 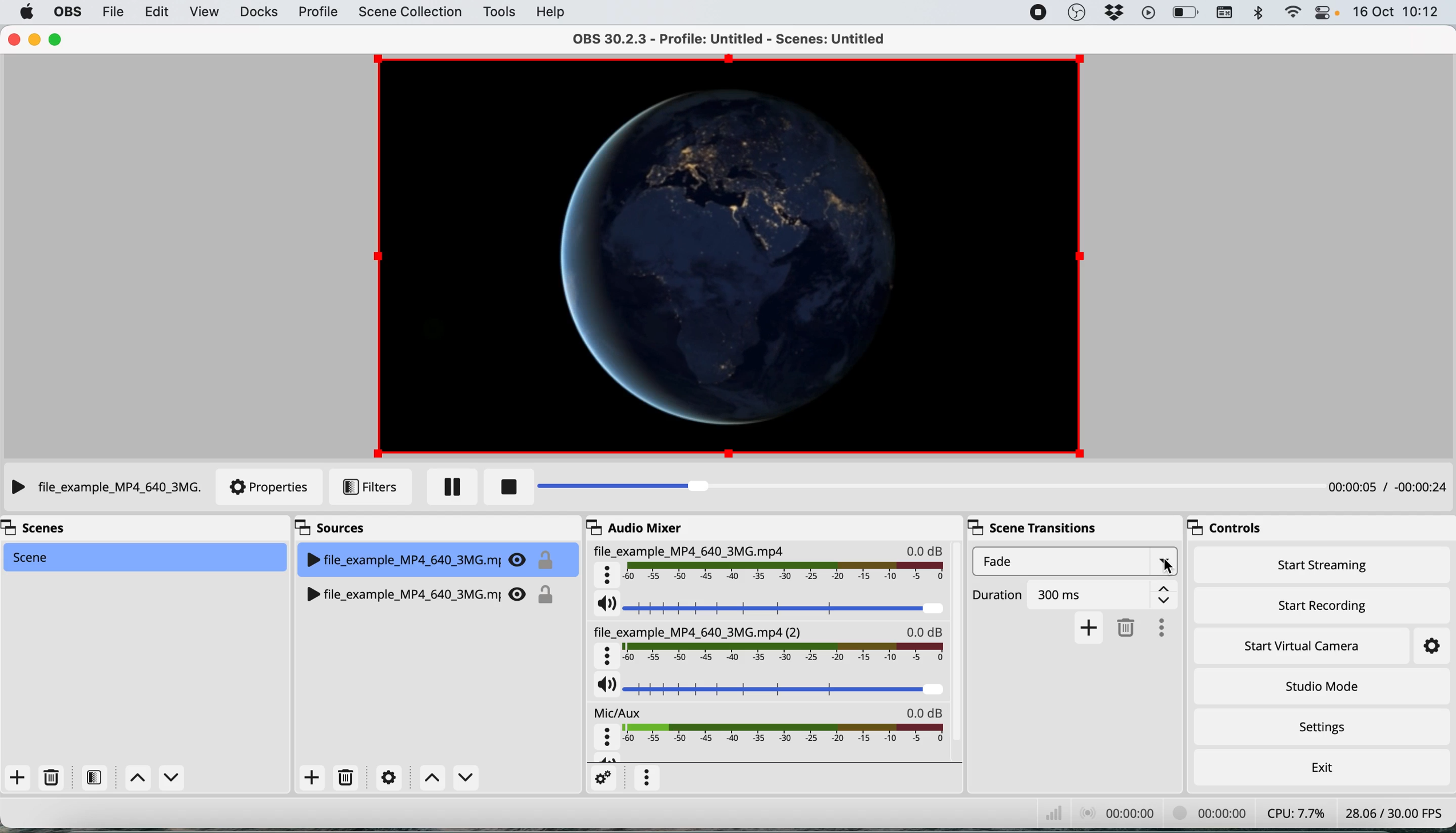 What do you see at coordinates (502, 11) in the screenshot?
I see `tools` at bounding box center [502, 11].